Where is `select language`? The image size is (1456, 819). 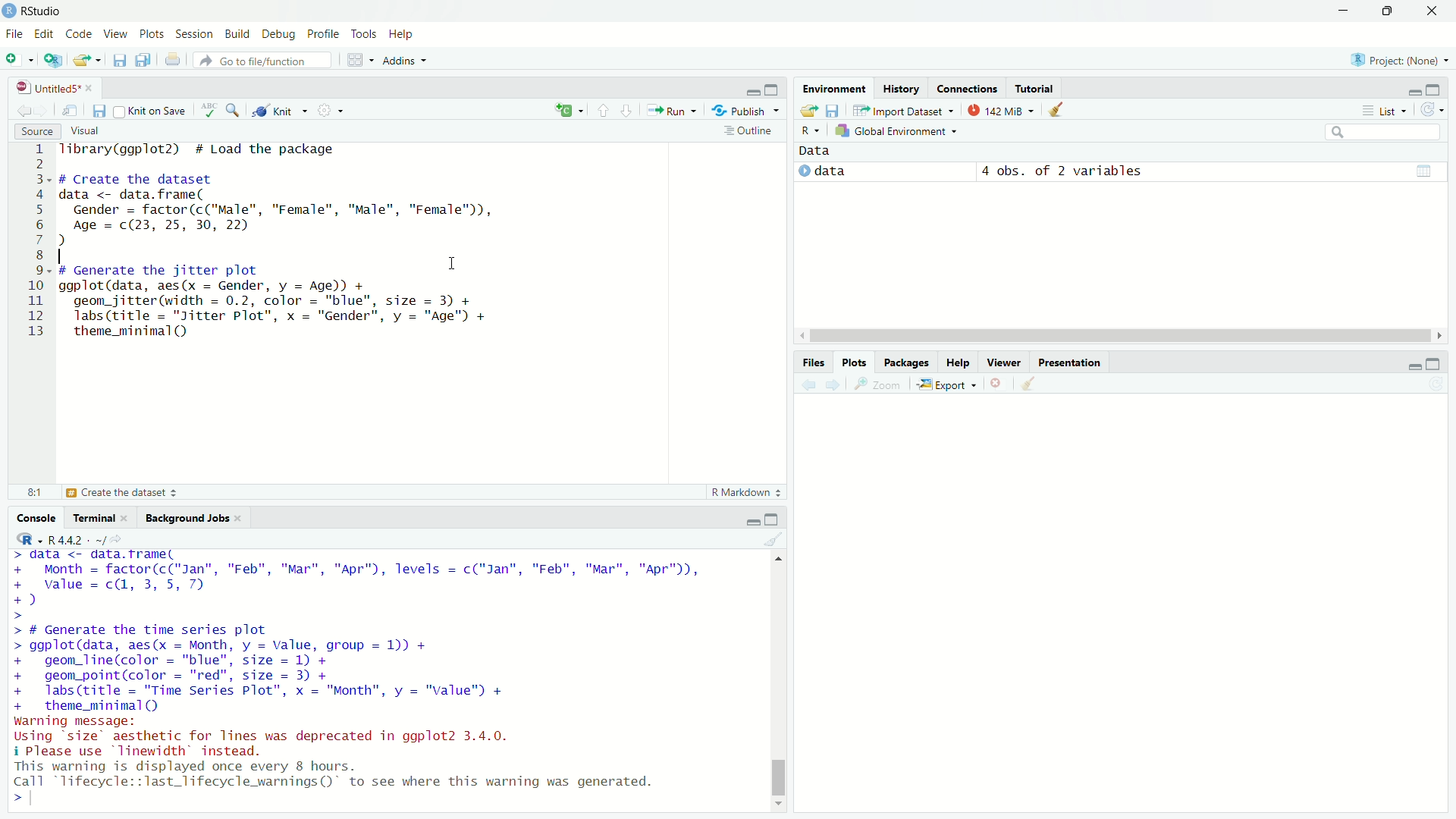
select language is located at coordinates (808, 132).